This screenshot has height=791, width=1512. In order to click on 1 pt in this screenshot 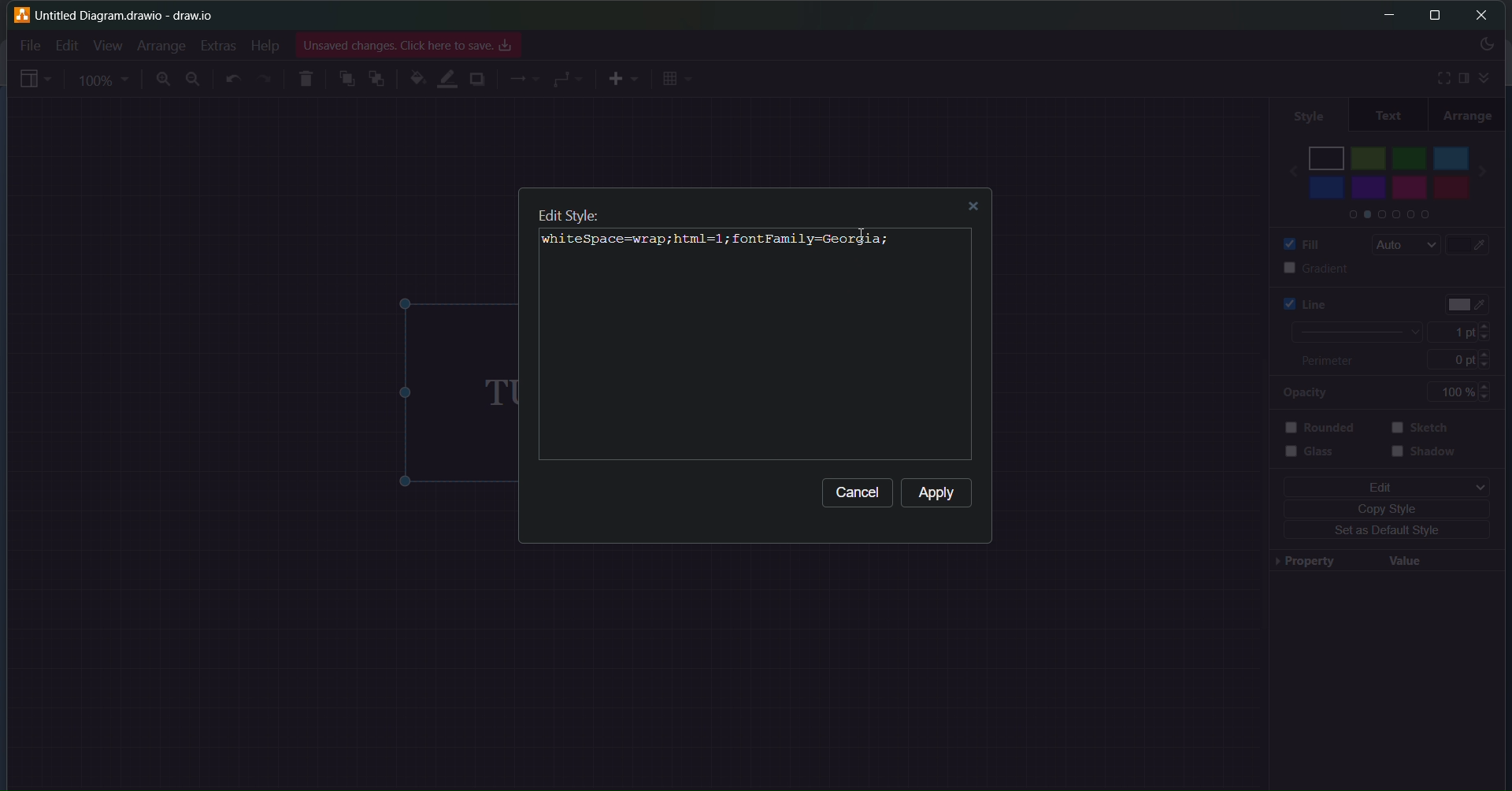, I will do `click(1466, 332)`.